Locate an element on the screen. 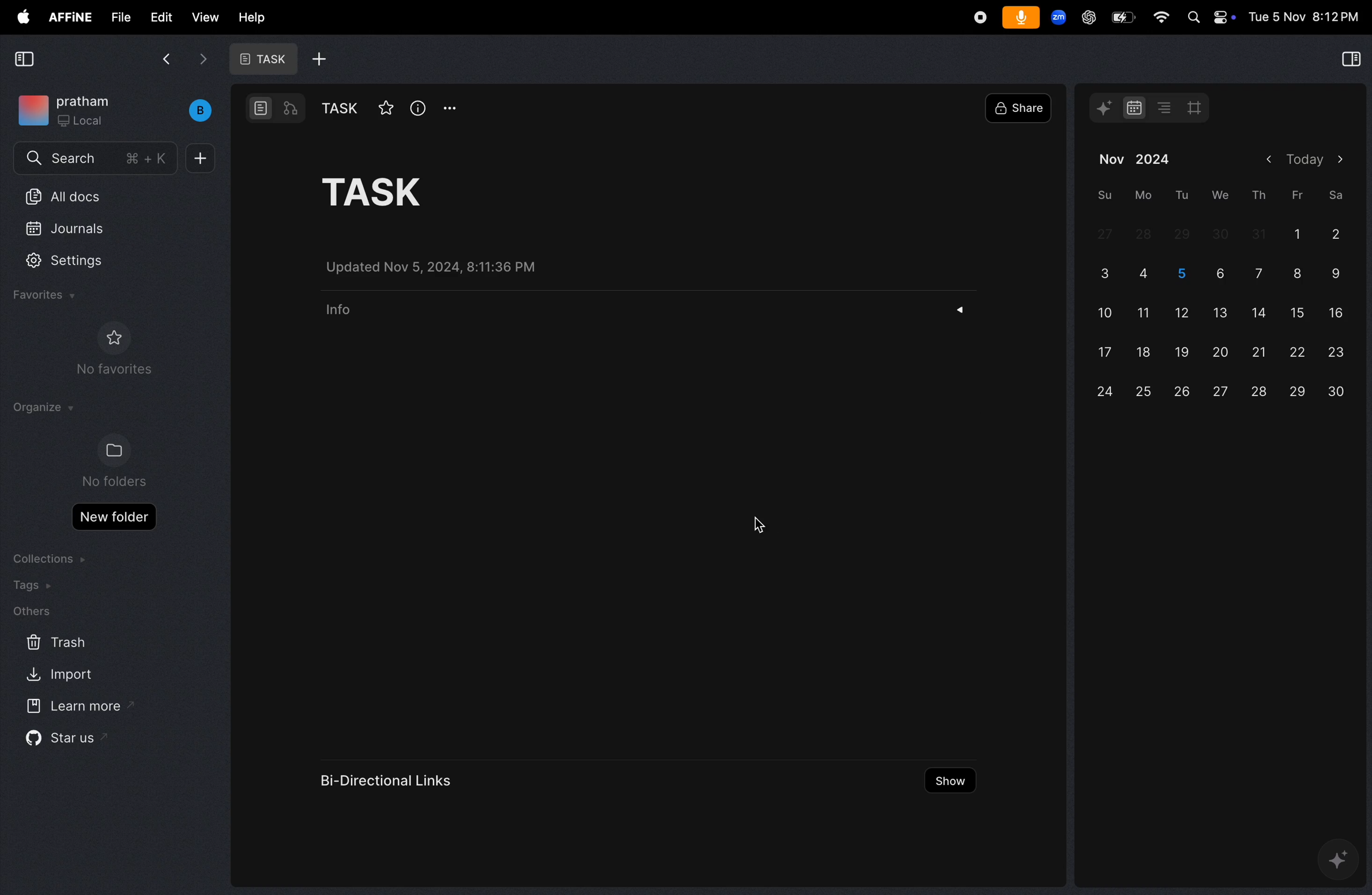 The width and height of the screenshot is (1372, 895). no folders is located at coordinates (111, 462).